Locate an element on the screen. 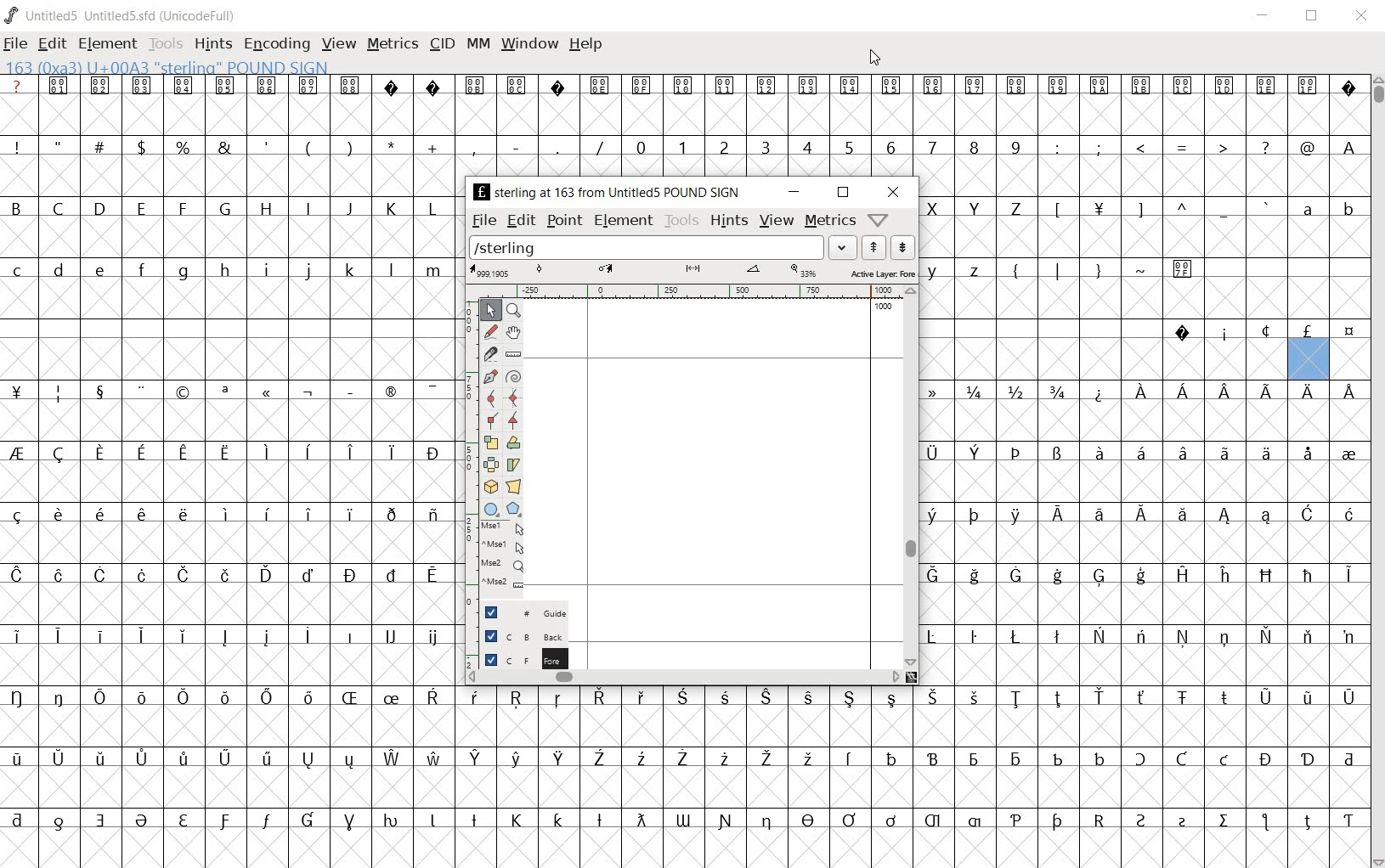 This screenshot has height=868, width=1385. show the previous word list is located at coordinates (874, 248).